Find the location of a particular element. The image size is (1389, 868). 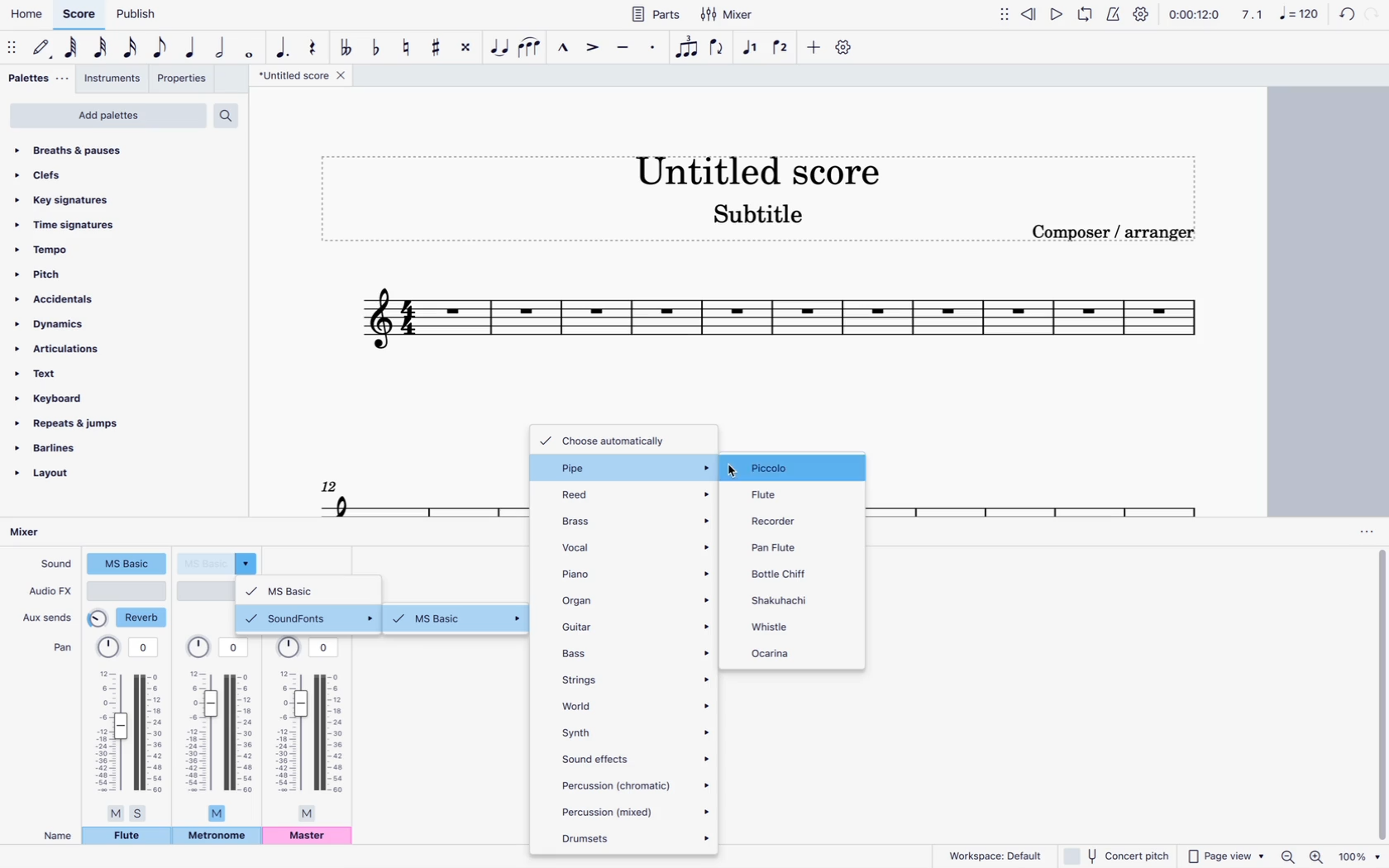

flute is located at coordinates (127, 838).